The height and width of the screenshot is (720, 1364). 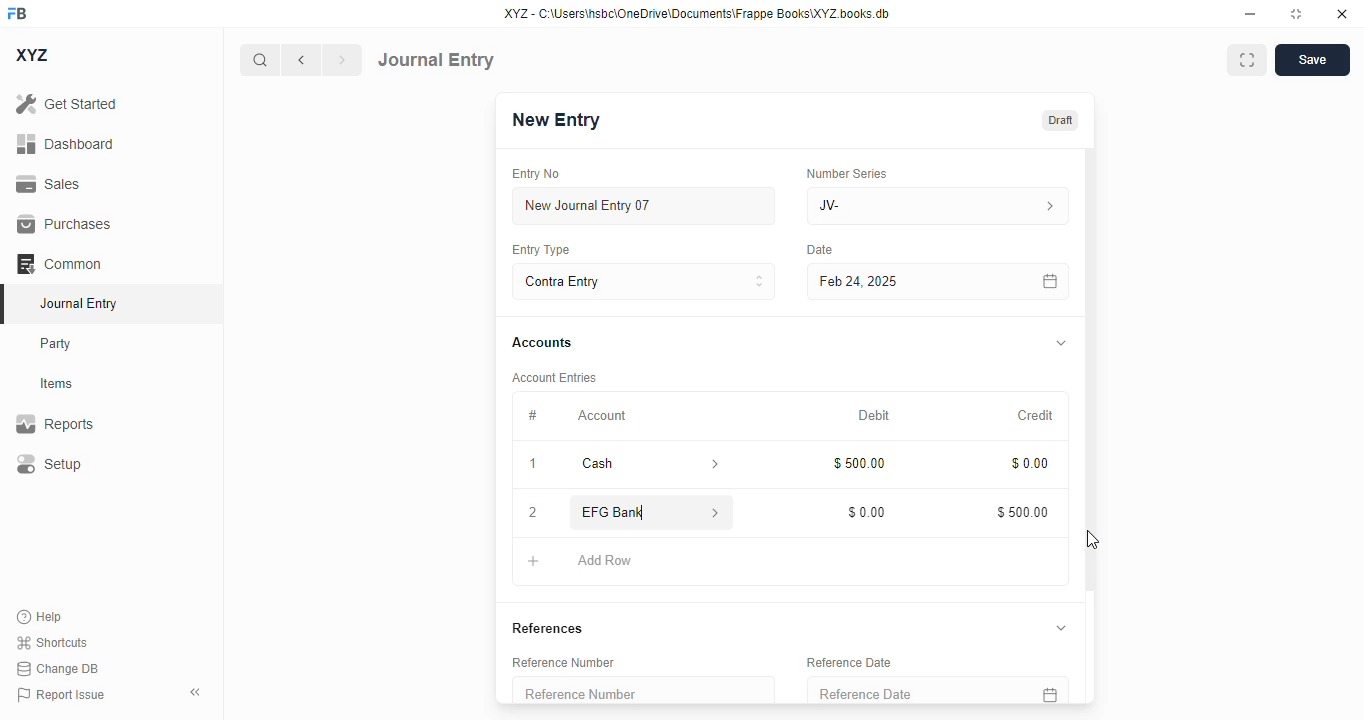 What do you see at coordinates (57, 384) in the screenshot?
I see `items` at bounding box center [57, 384].